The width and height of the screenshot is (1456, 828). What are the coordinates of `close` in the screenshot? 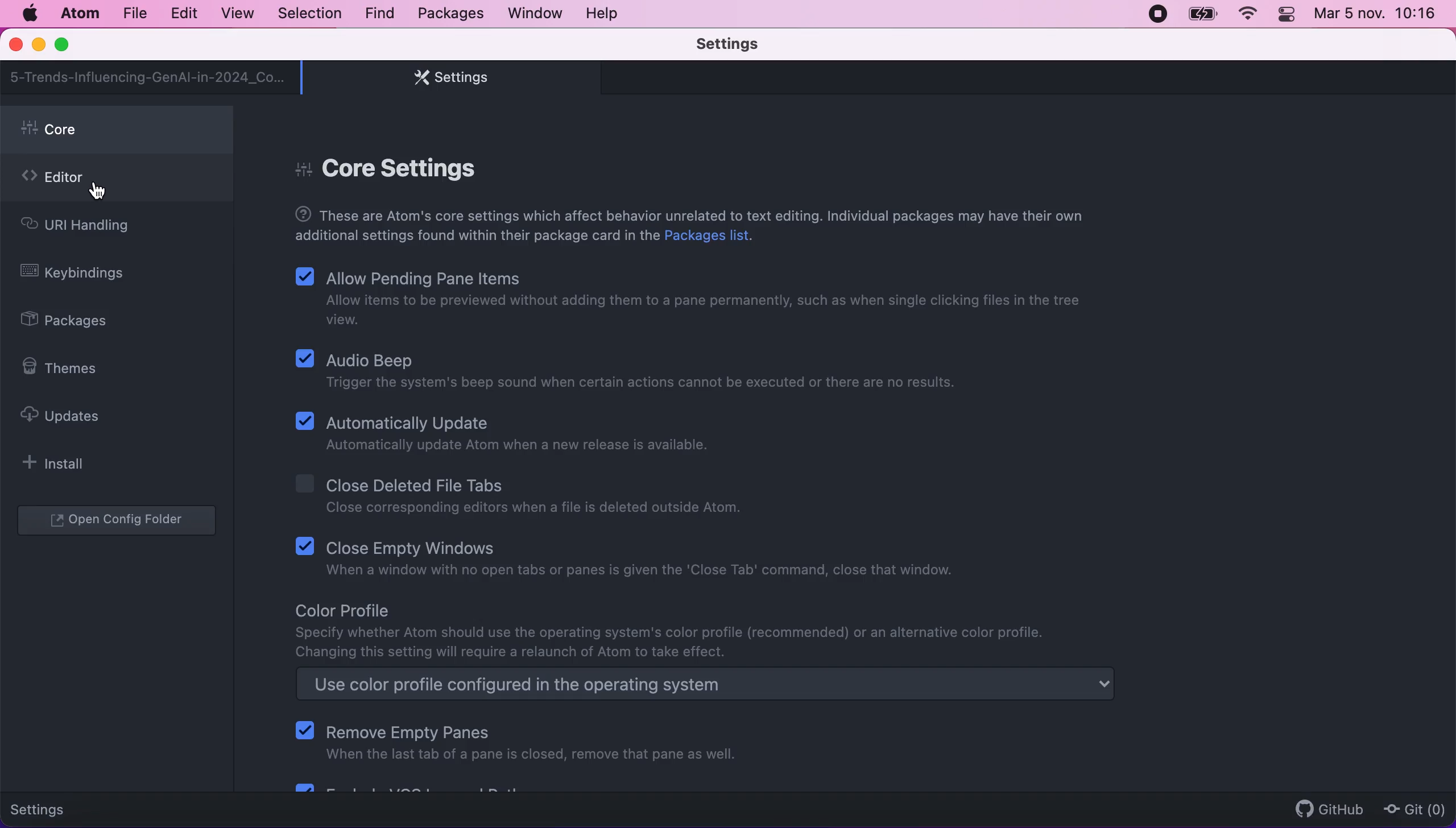 It's located at (17, 45).